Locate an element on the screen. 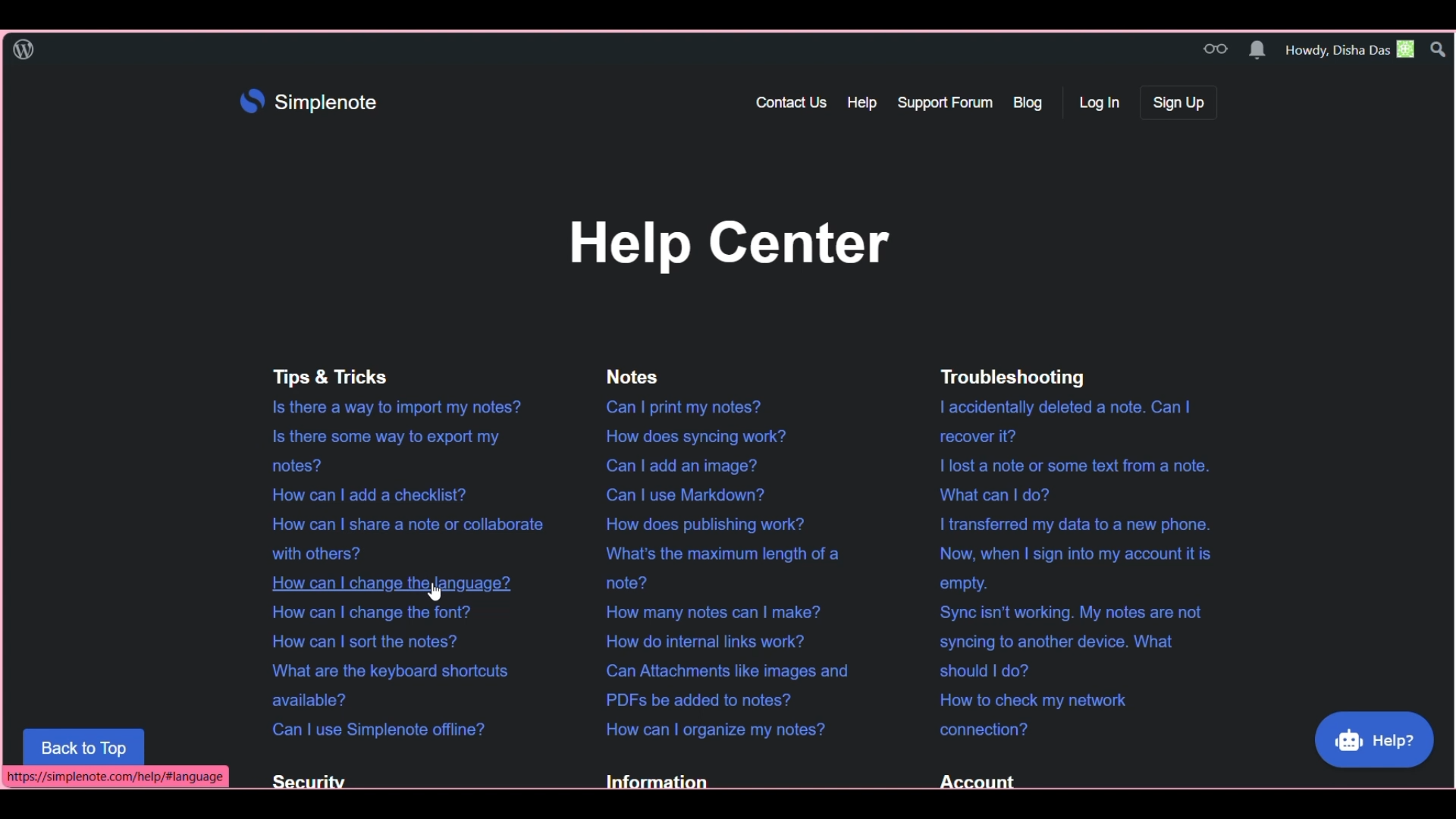 The width and height of the screenshot is (1456, 819). Support forum is located at coordinates (946, 102).